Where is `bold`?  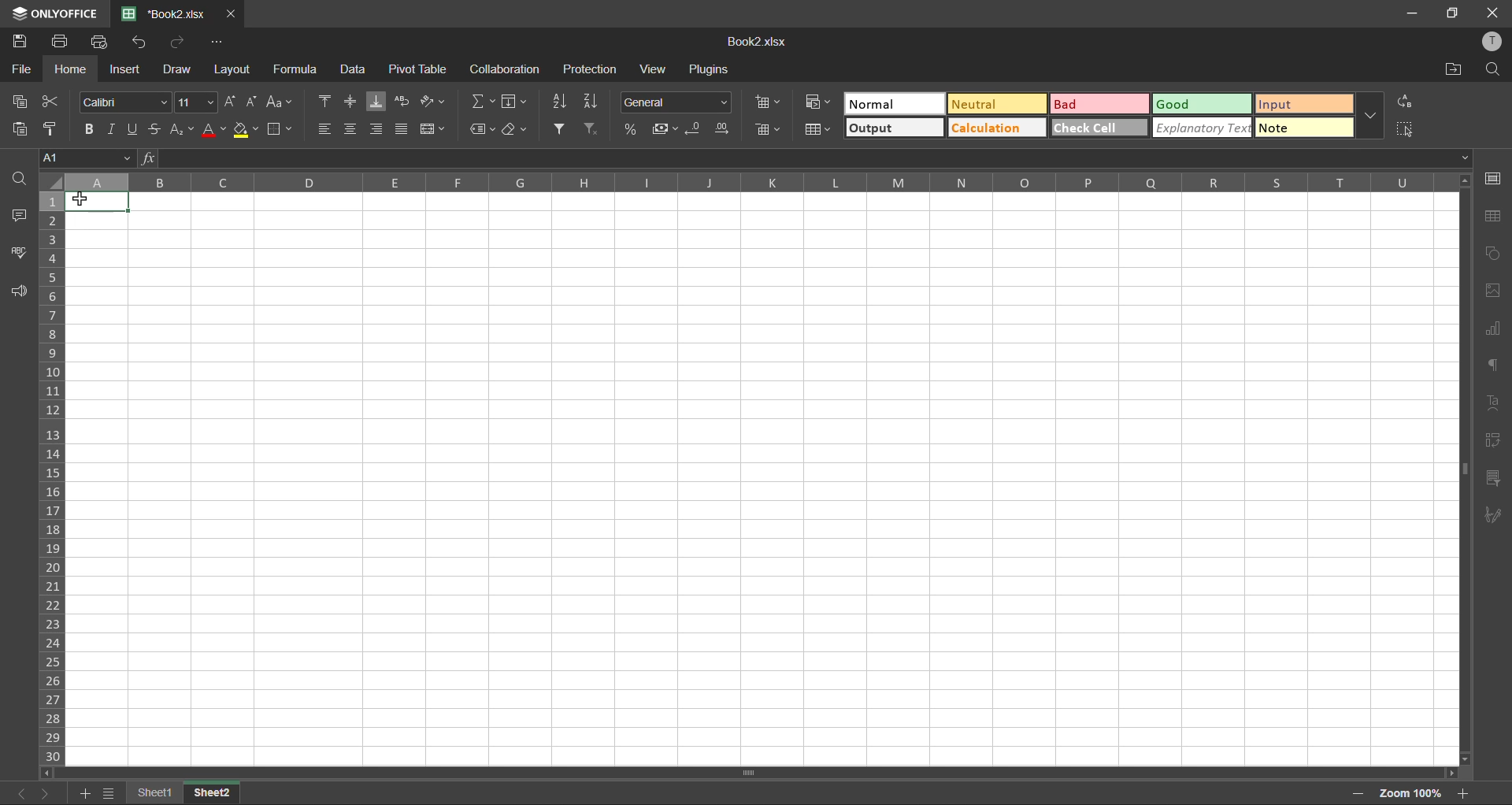 bold is located at coordinates (91, 128).